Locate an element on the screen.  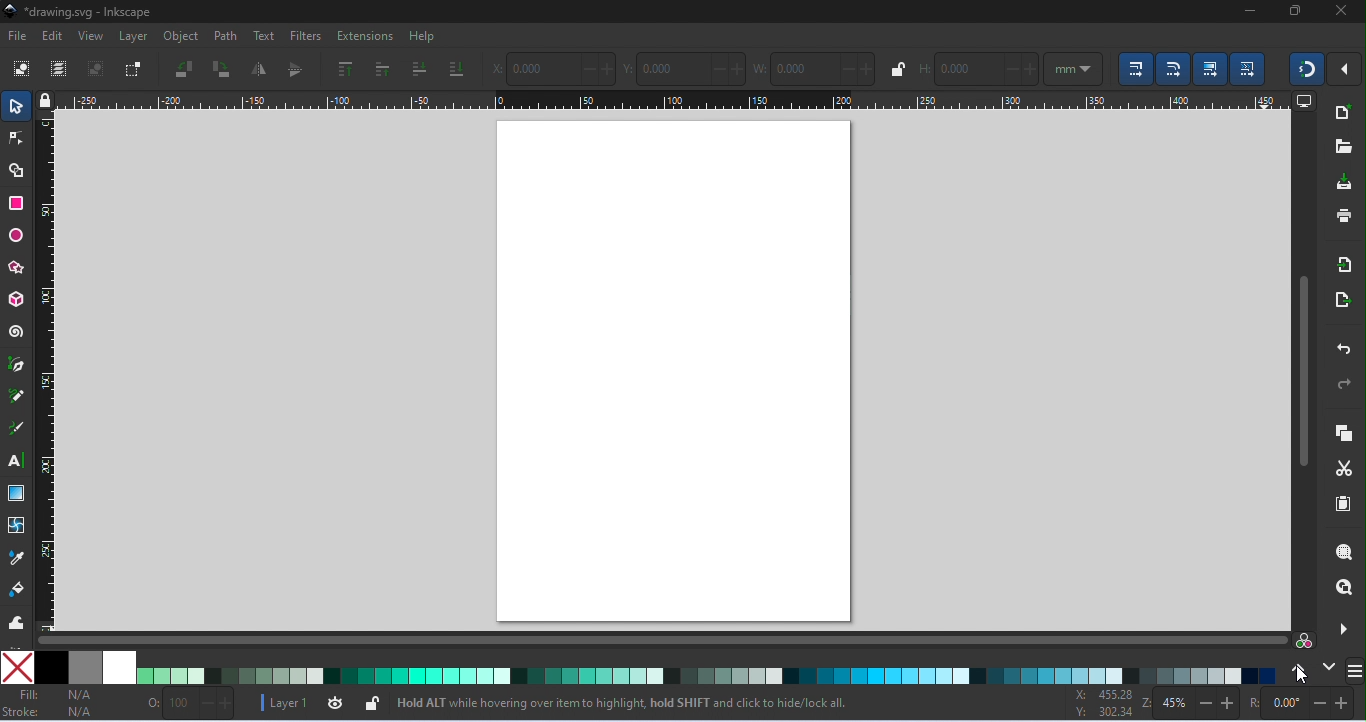
filters is located at coordinates (303, 36).